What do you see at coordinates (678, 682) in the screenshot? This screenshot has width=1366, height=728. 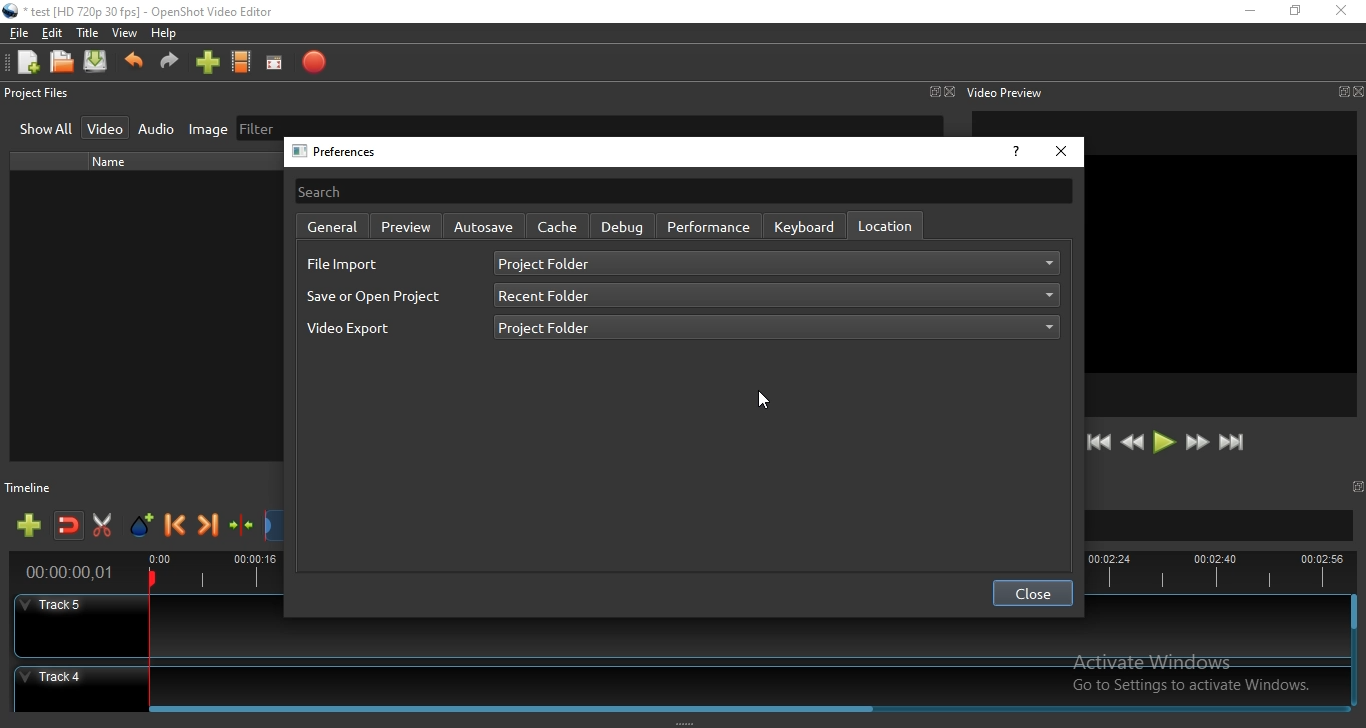 I see `Track` at bounding box center [678, 682].